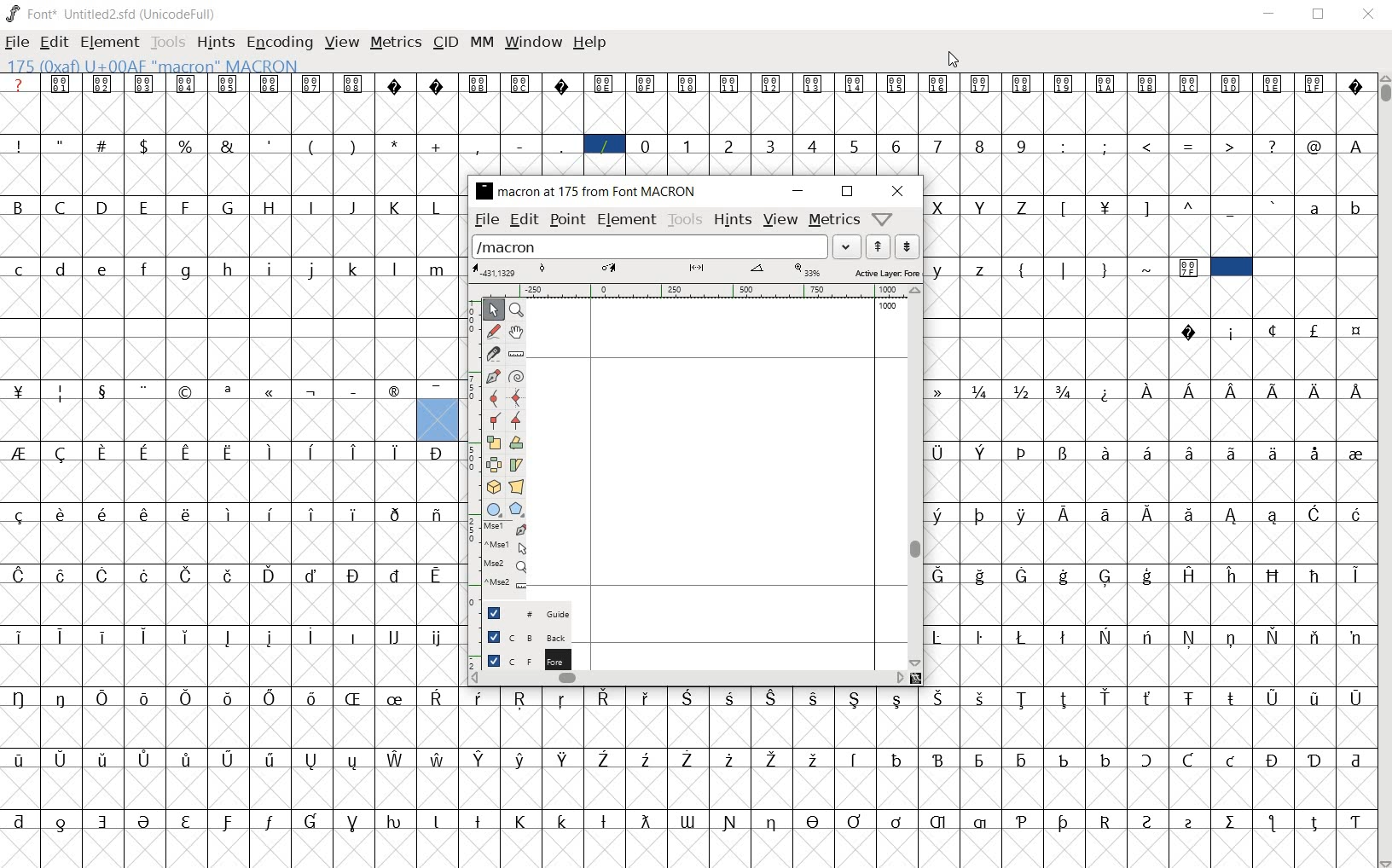 The width and height of the screenshot is (1392, 868). I want to click on Symbol, so click(104, 453).